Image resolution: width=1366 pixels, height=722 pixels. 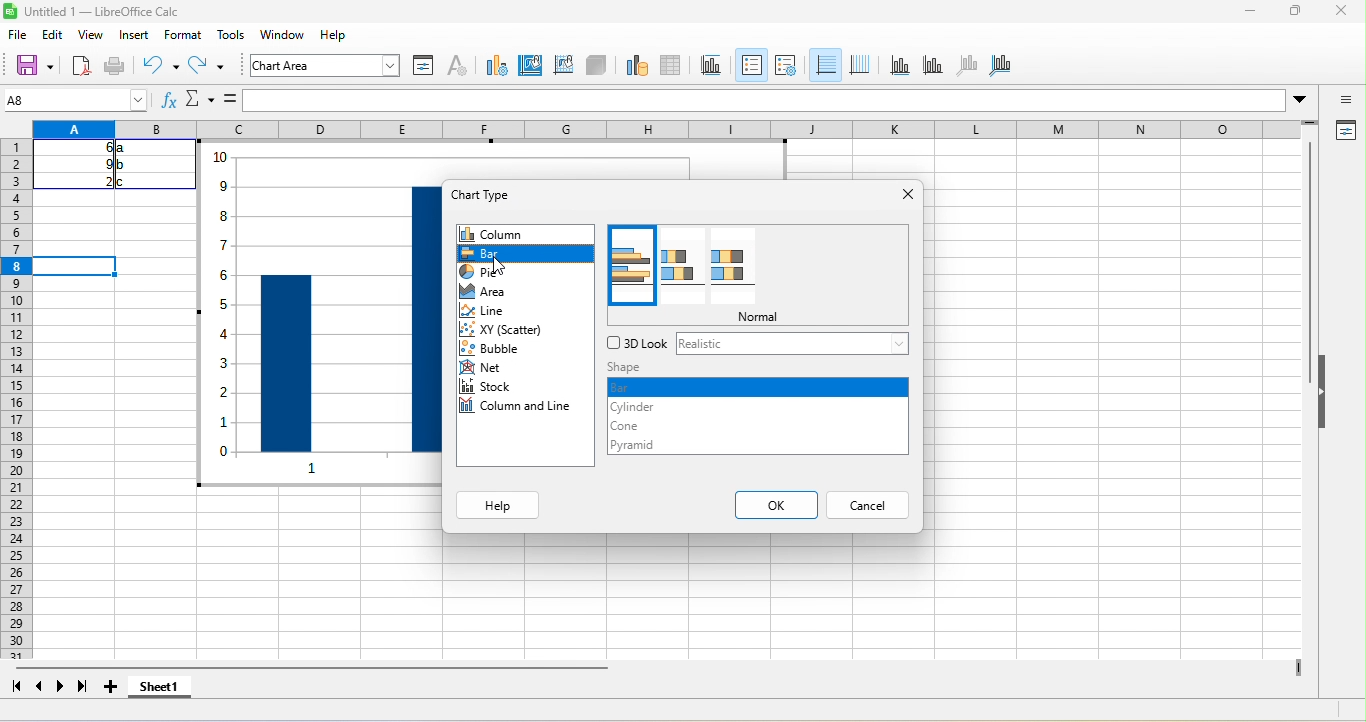 What do you see at coordinates (304, 310) in the screenshot?
I see `chart` at bounding box center [304, 310].